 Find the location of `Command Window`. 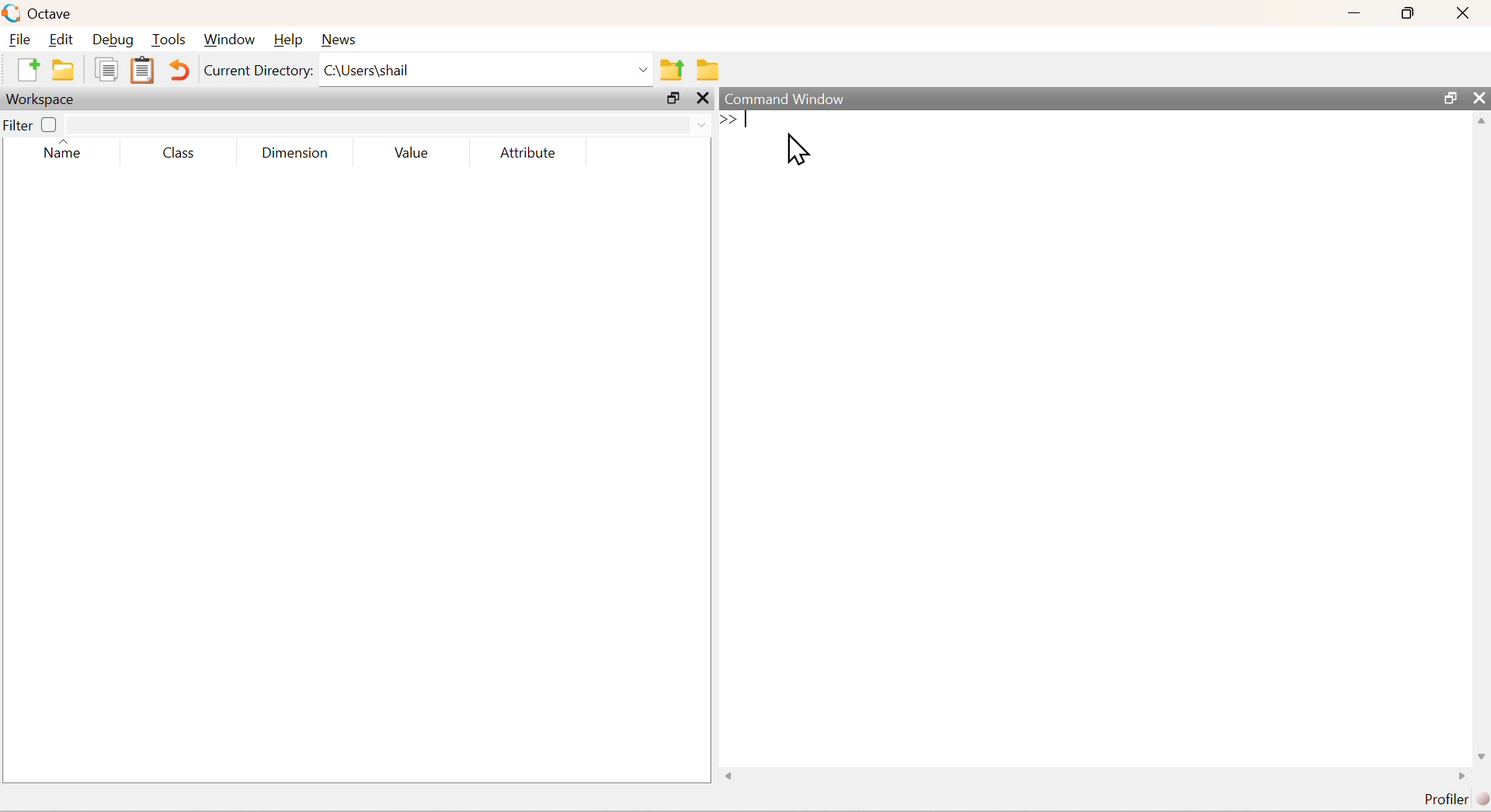

Command Window is located at coordinates (799, 99).